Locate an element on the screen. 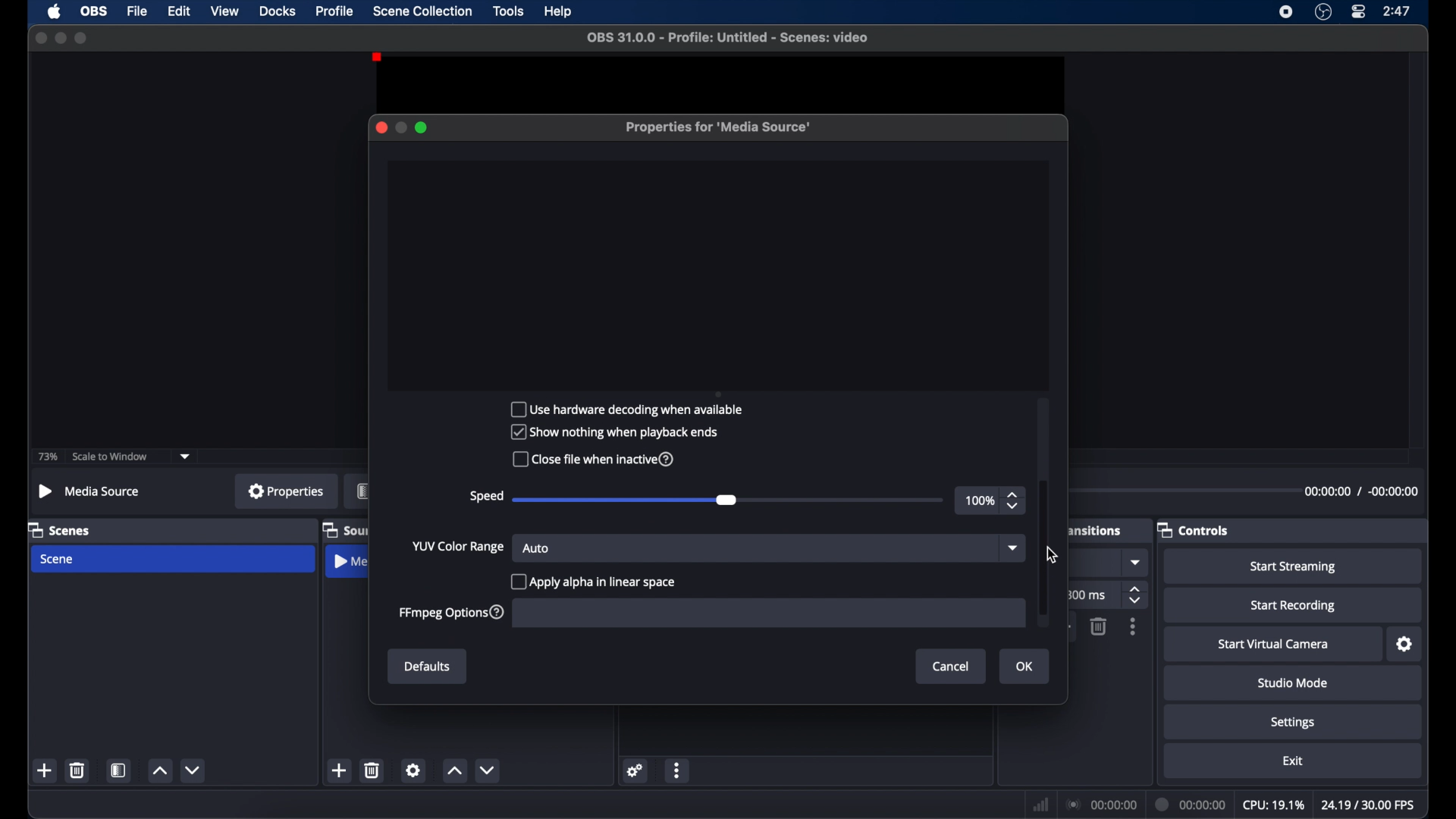 Image resolution: width=1456 pixels, height=819 pixels. no source selected is located at coordinates (89, 491).